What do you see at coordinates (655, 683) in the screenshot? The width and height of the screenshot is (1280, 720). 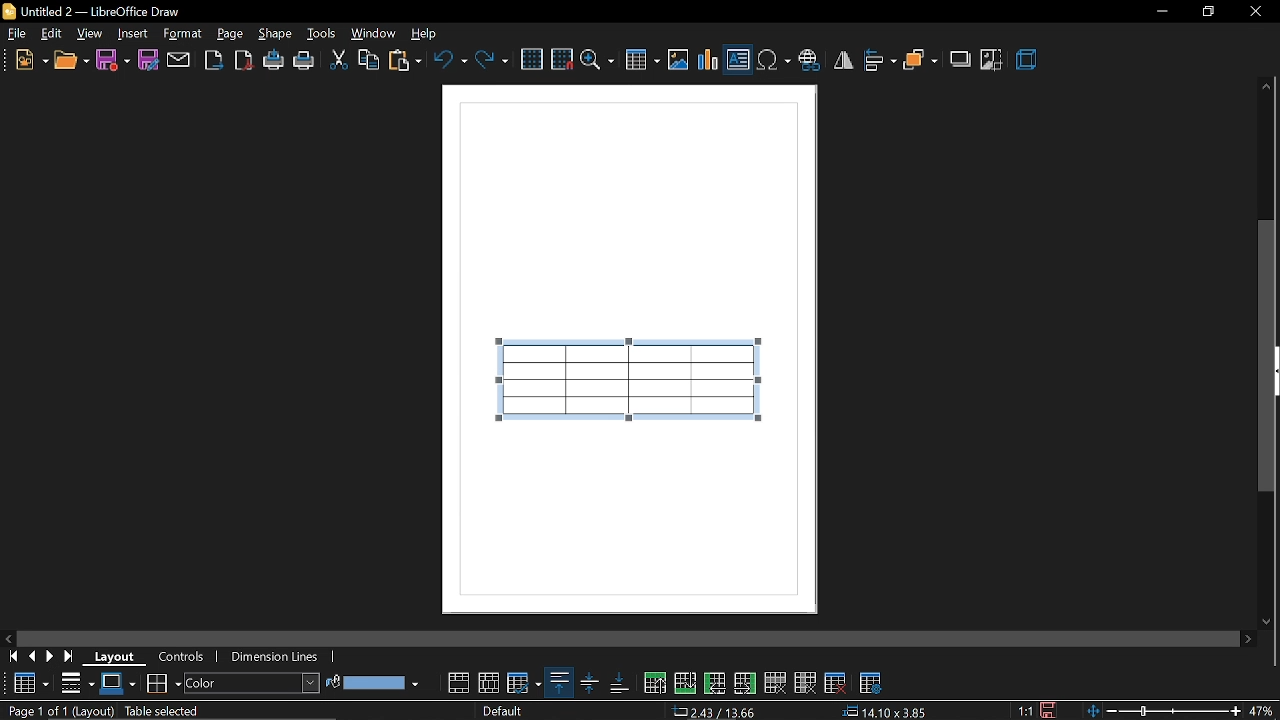 I see `insert row above` at bounding box center [655, 683].